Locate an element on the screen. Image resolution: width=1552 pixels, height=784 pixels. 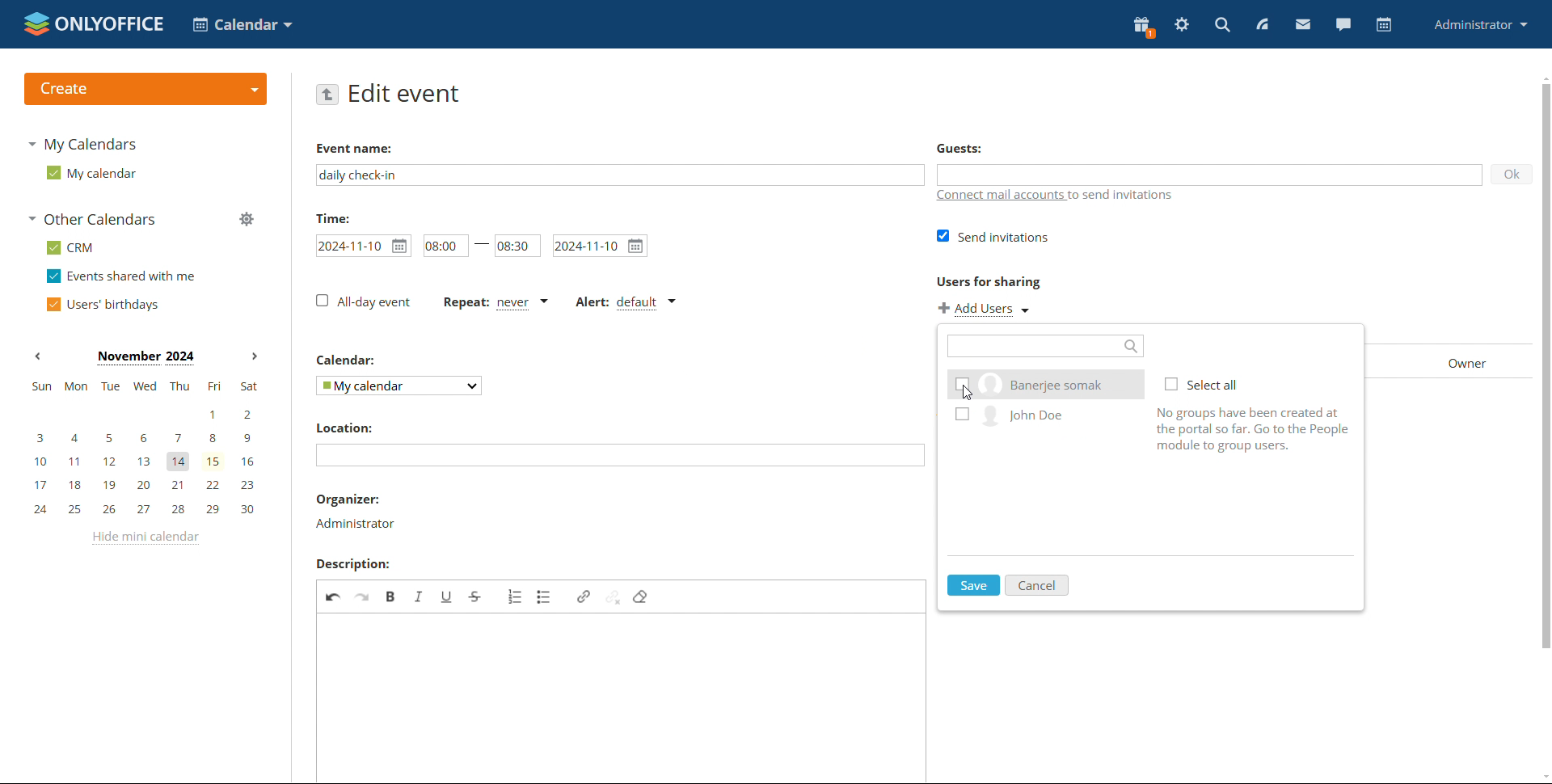
scroll down is located at coordinates (1542, 776).